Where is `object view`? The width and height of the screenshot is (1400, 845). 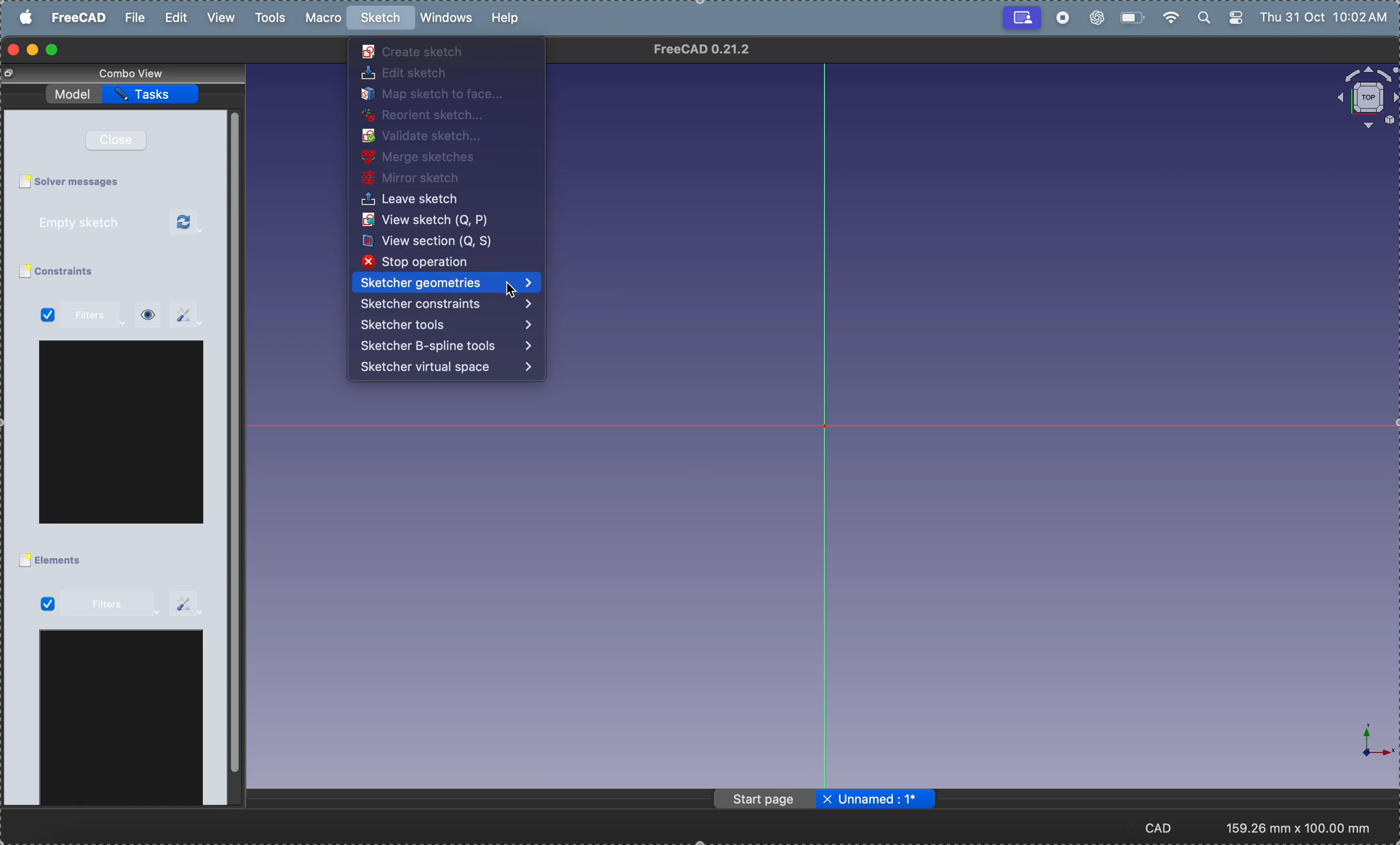 object view is located at coordinates (1365, 98).